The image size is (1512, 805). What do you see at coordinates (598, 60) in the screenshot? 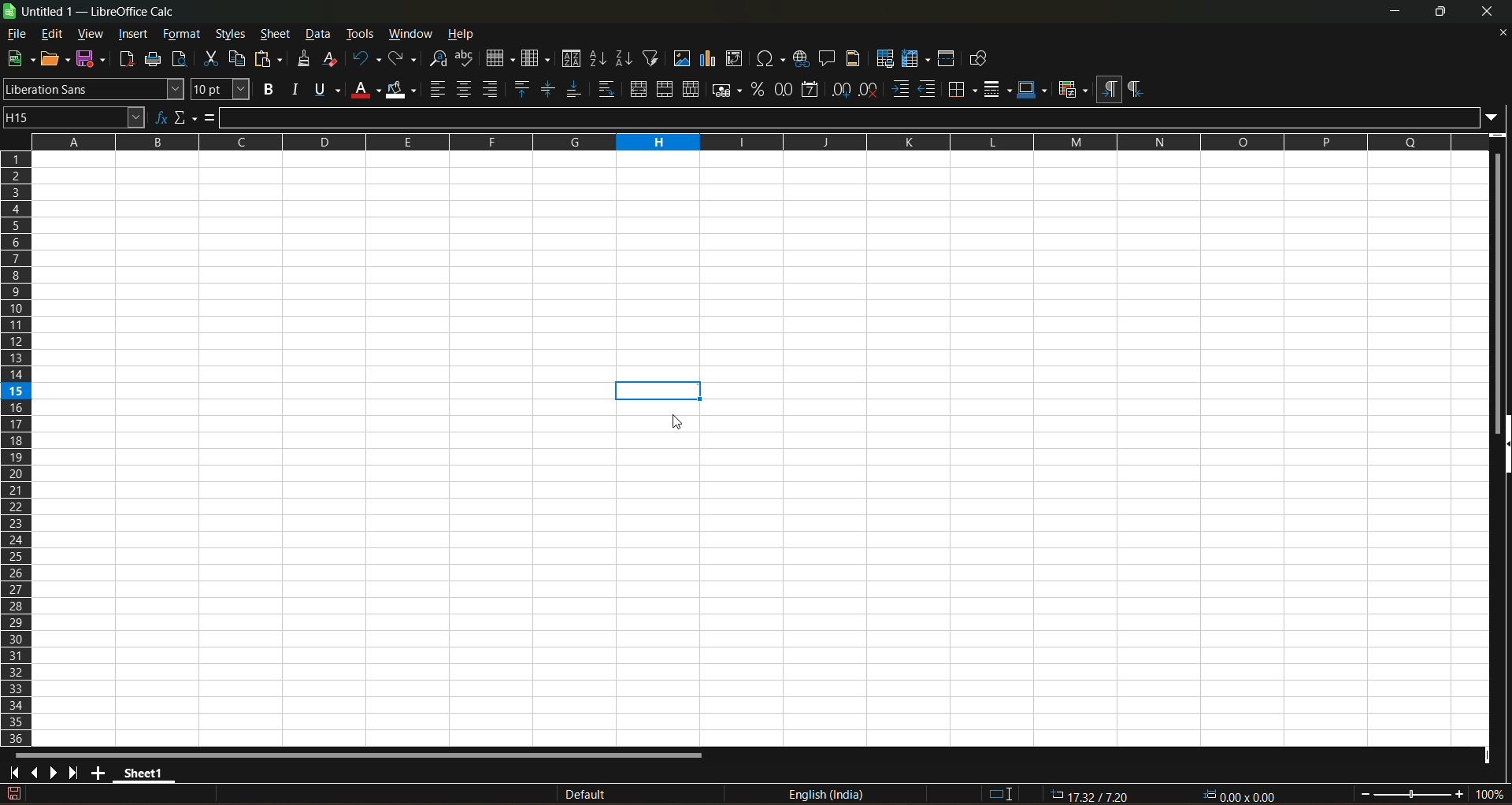
I see `sort ascending` at bounding box center [598, 60].